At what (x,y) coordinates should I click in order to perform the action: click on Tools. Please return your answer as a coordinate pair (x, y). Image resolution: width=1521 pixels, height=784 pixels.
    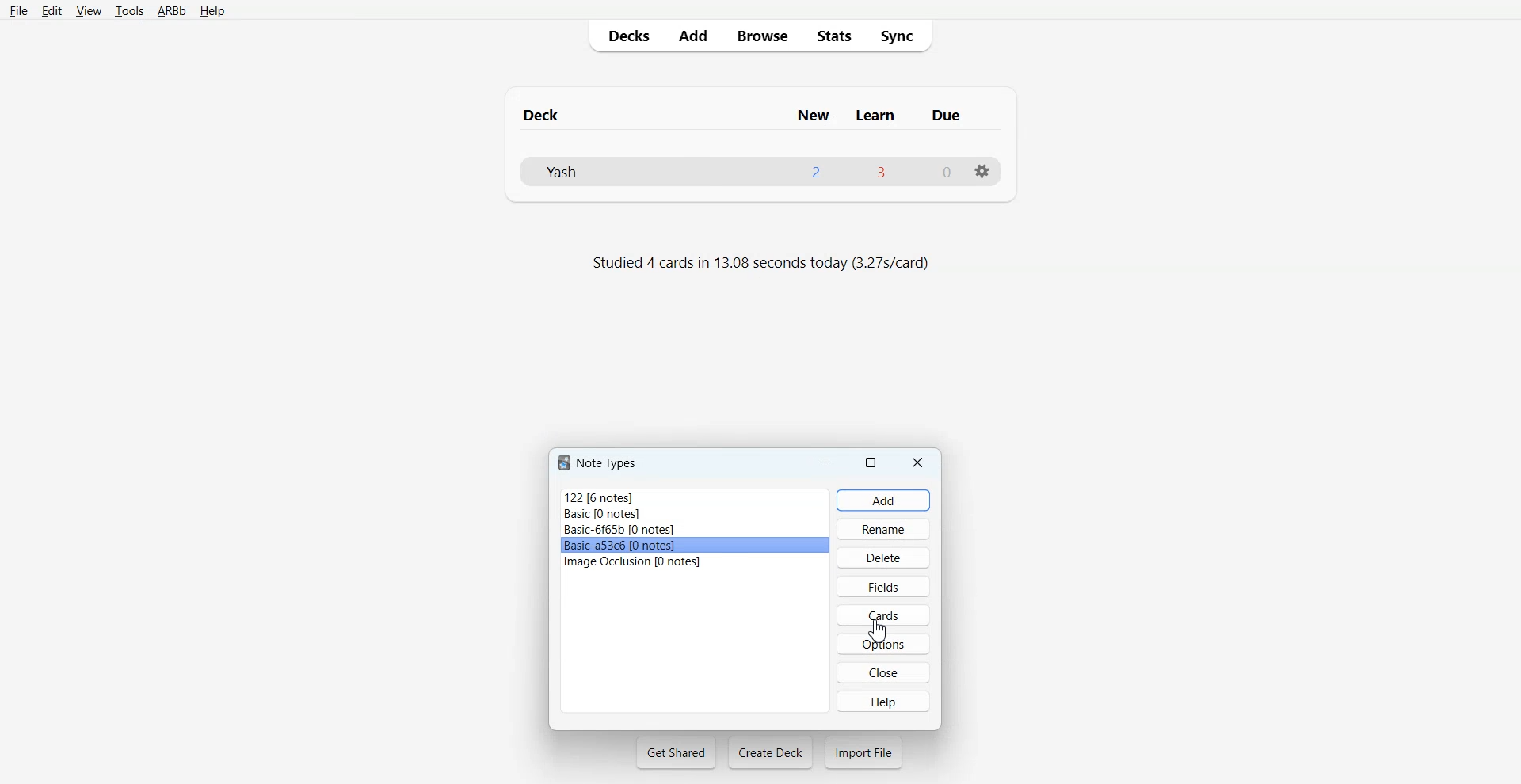
    Looking at the image, I should click on (129, 12).